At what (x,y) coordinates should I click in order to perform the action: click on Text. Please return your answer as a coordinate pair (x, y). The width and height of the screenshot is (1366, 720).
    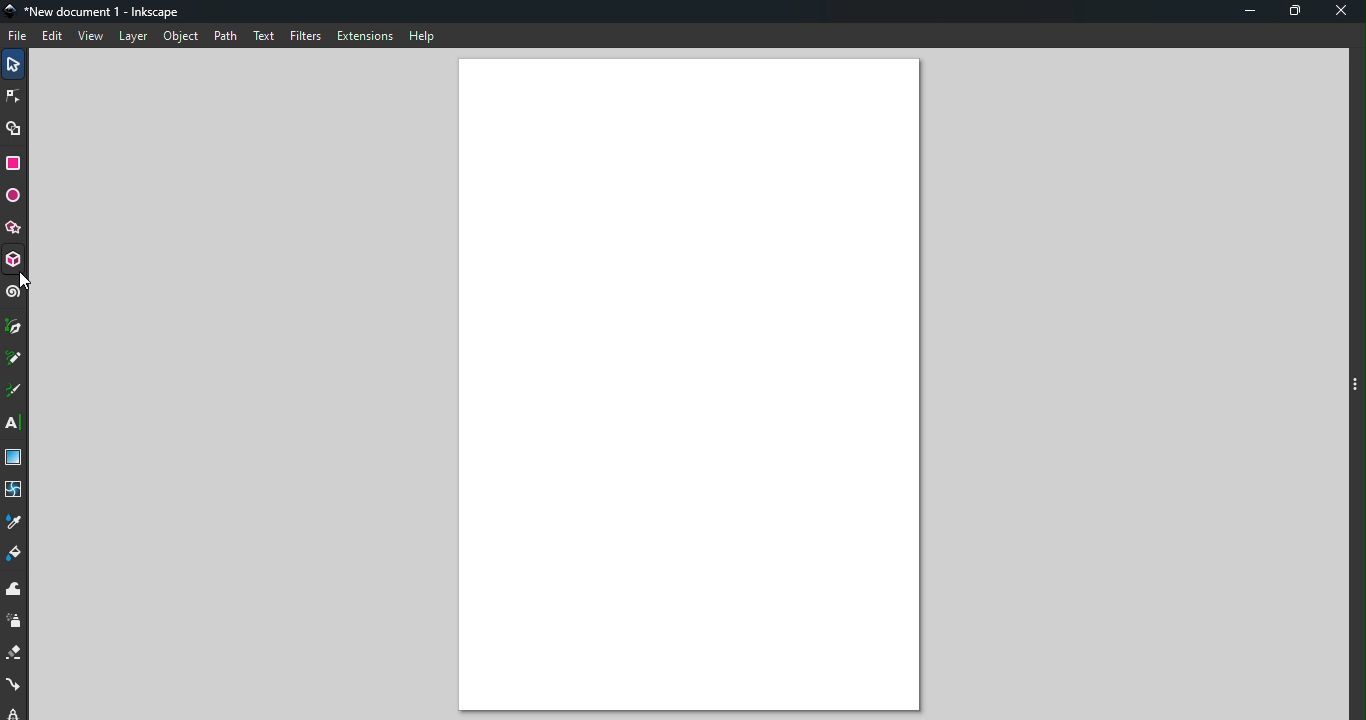
    Looking at the image, I should click on (265, 37).